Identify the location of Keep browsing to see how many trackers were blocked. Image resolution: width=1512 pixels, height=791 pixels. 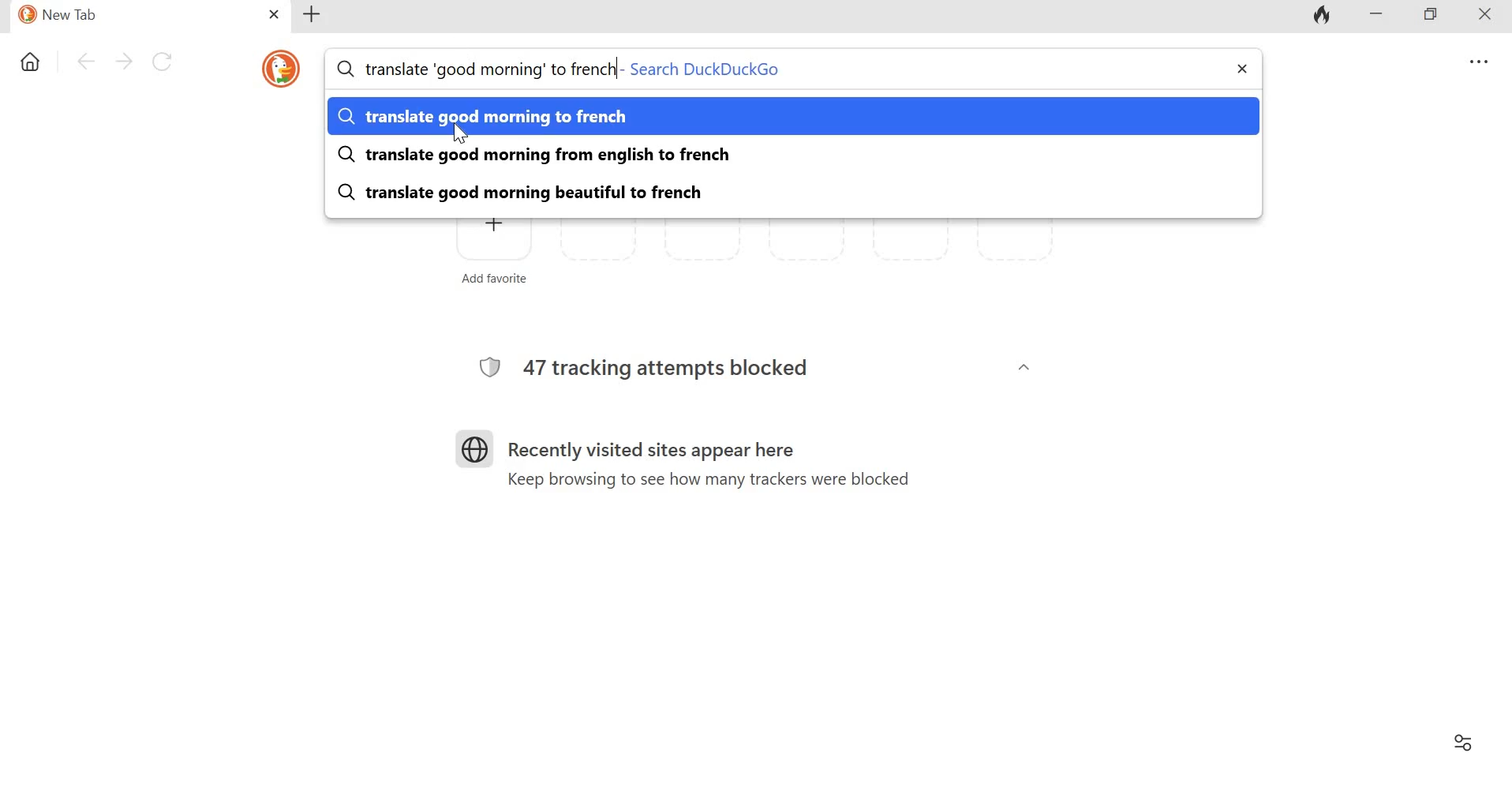
(713, 482).